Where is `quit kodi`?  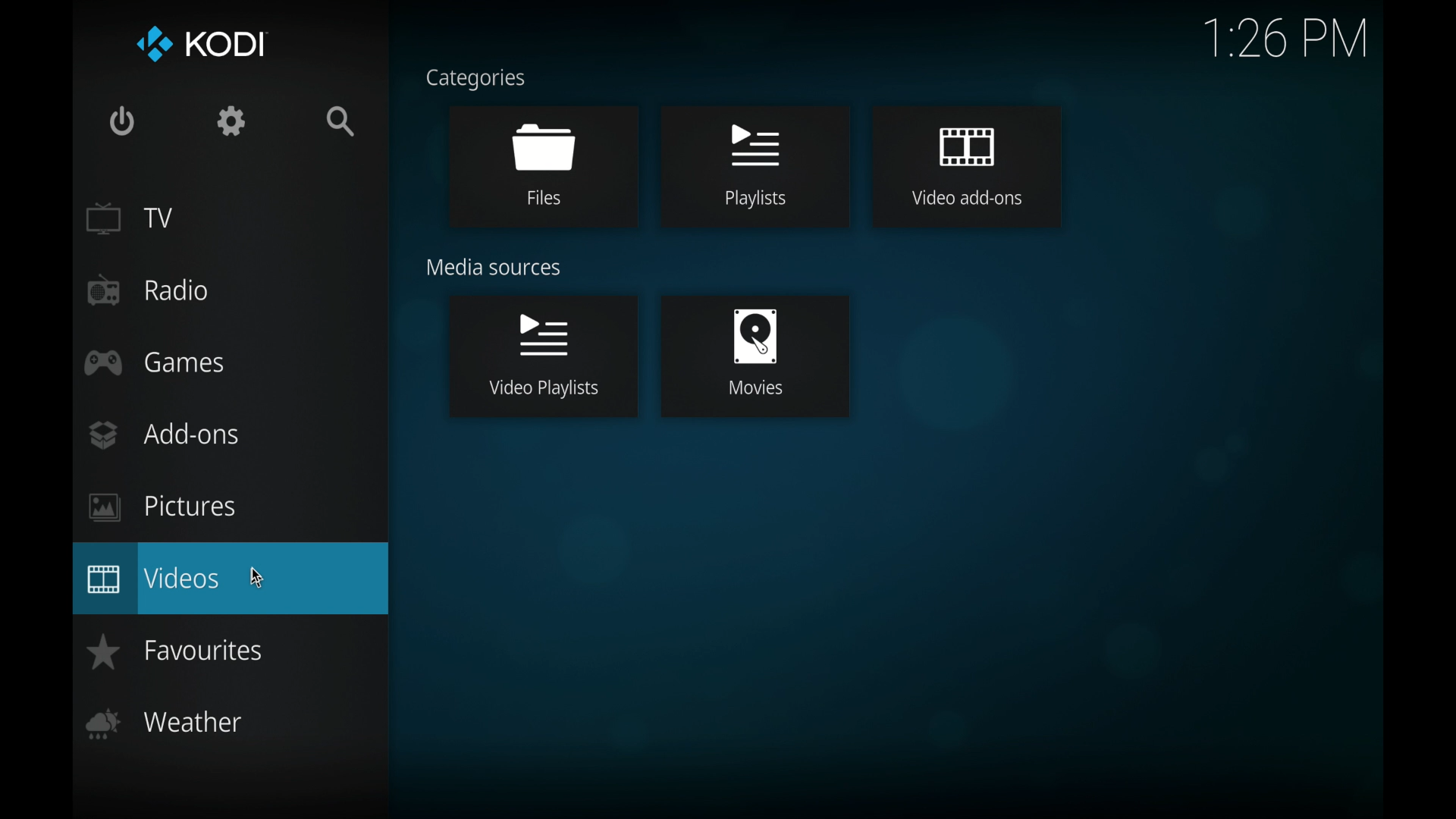 quit kodi is located at coordinates (124, 121).